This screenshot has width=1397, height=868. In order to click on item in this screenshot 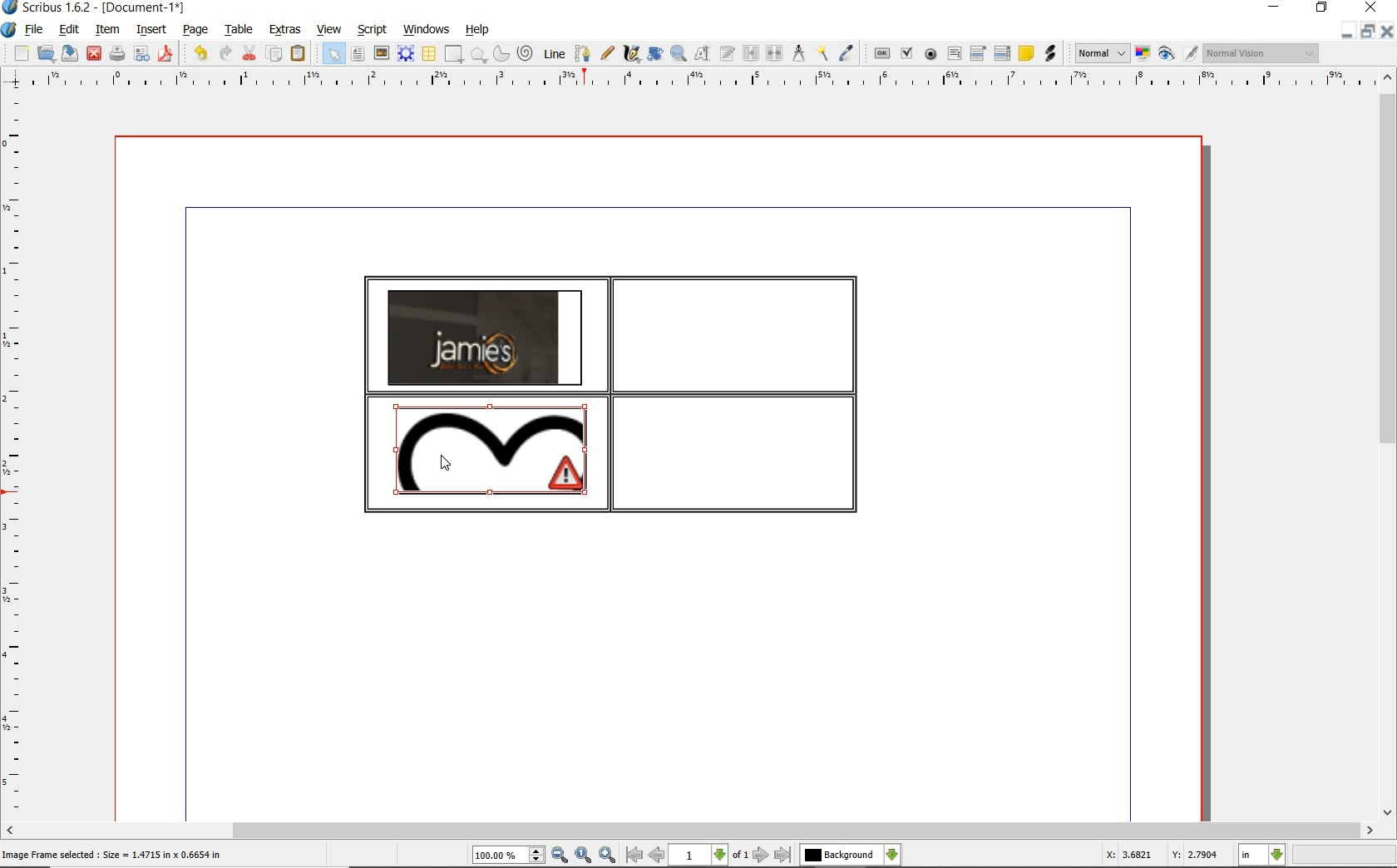, I will do `click(106, 30)`.